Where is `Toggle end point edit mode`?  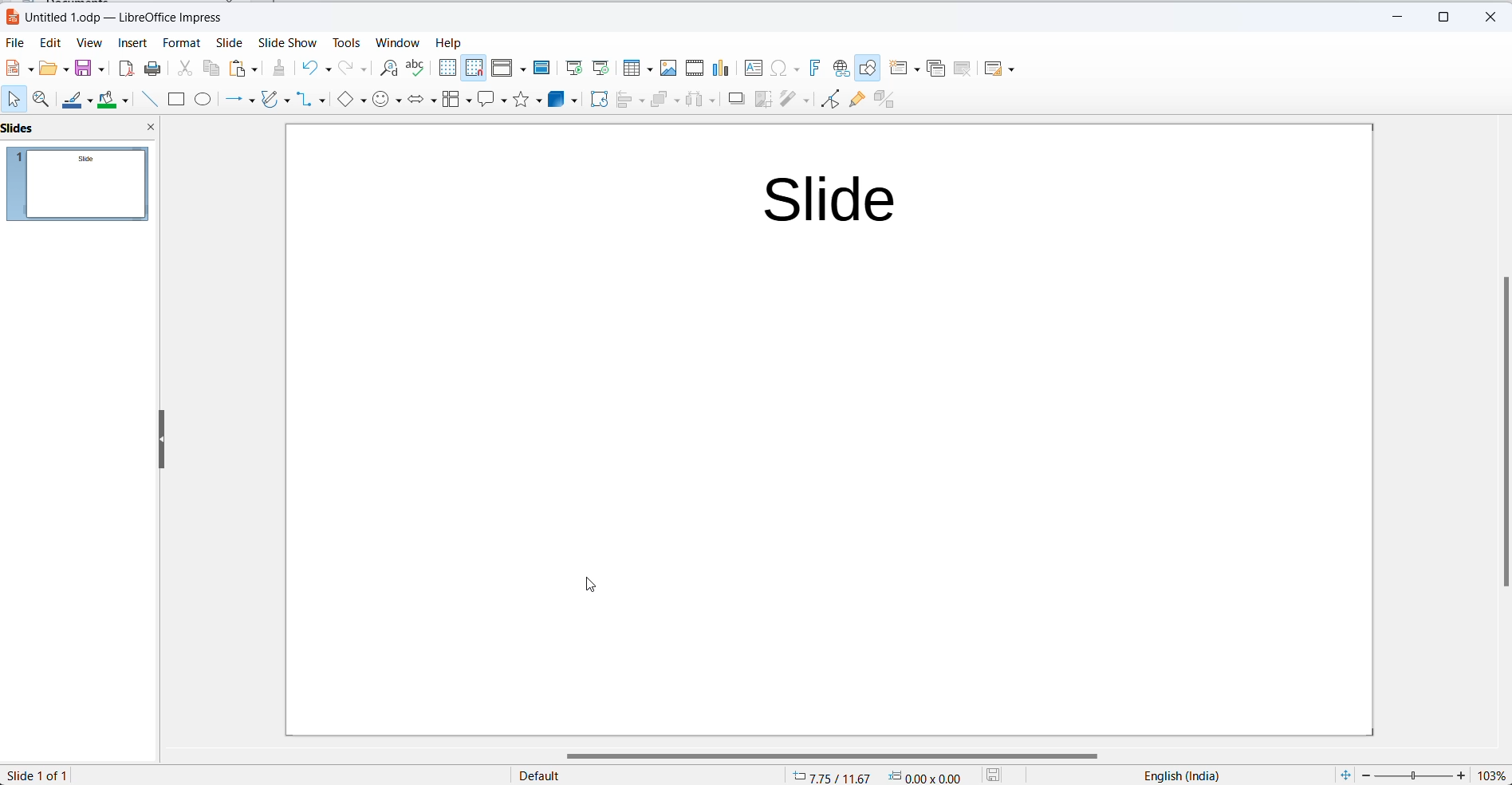
Toggle end point edit mode is located at coordinates (828, 101).